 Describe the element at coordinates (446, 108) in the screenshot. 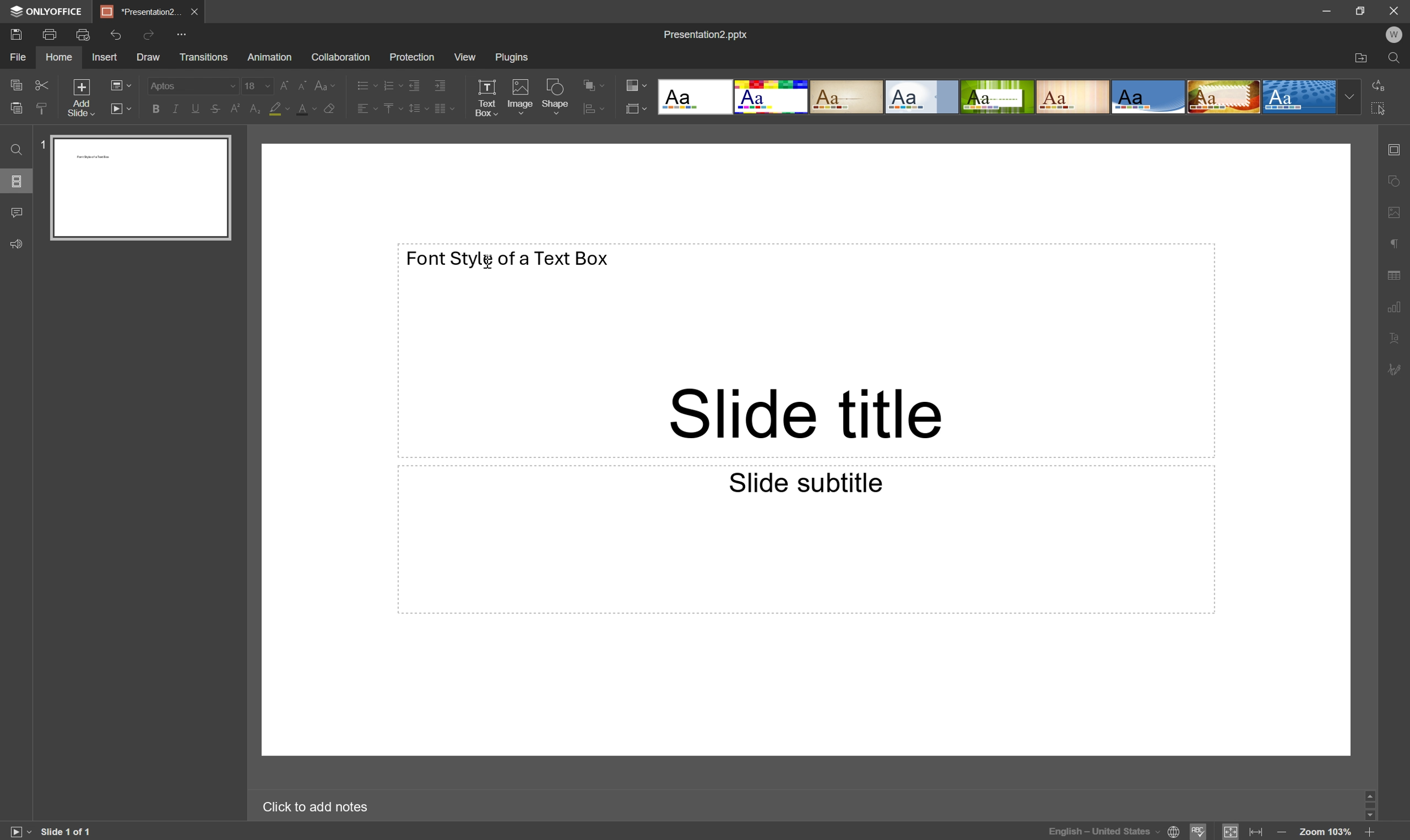

I see `Insert columns` at that location.